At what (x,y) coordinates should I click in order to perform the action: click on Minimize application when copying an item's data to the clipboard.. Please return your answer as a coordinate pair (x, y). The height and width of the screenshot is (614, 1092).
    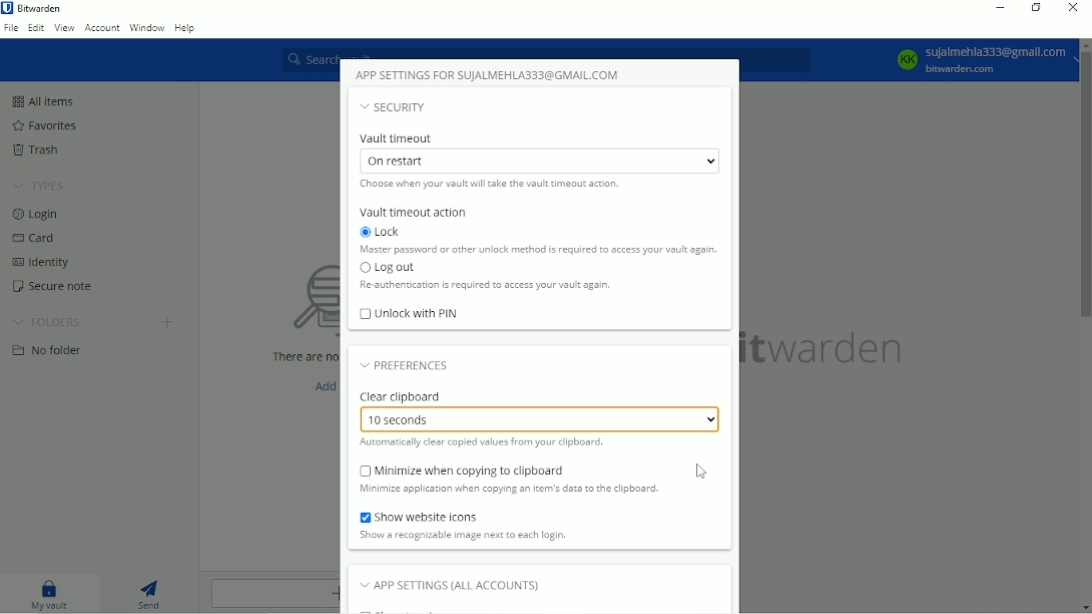
    Looking at the image, I should click on (508, 490).